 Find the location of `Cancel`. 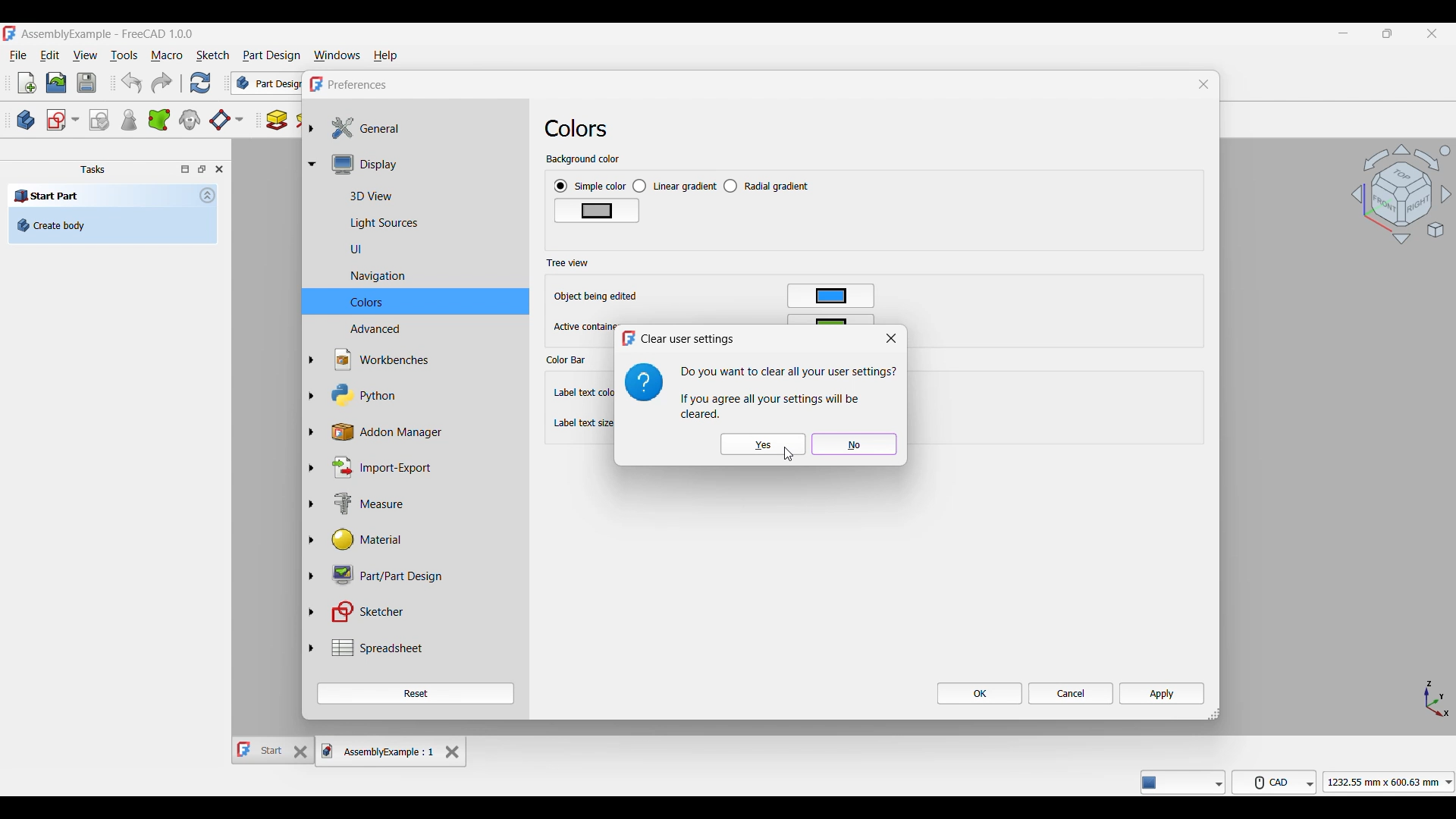

Cancel is located at coordinates (1072, 693).